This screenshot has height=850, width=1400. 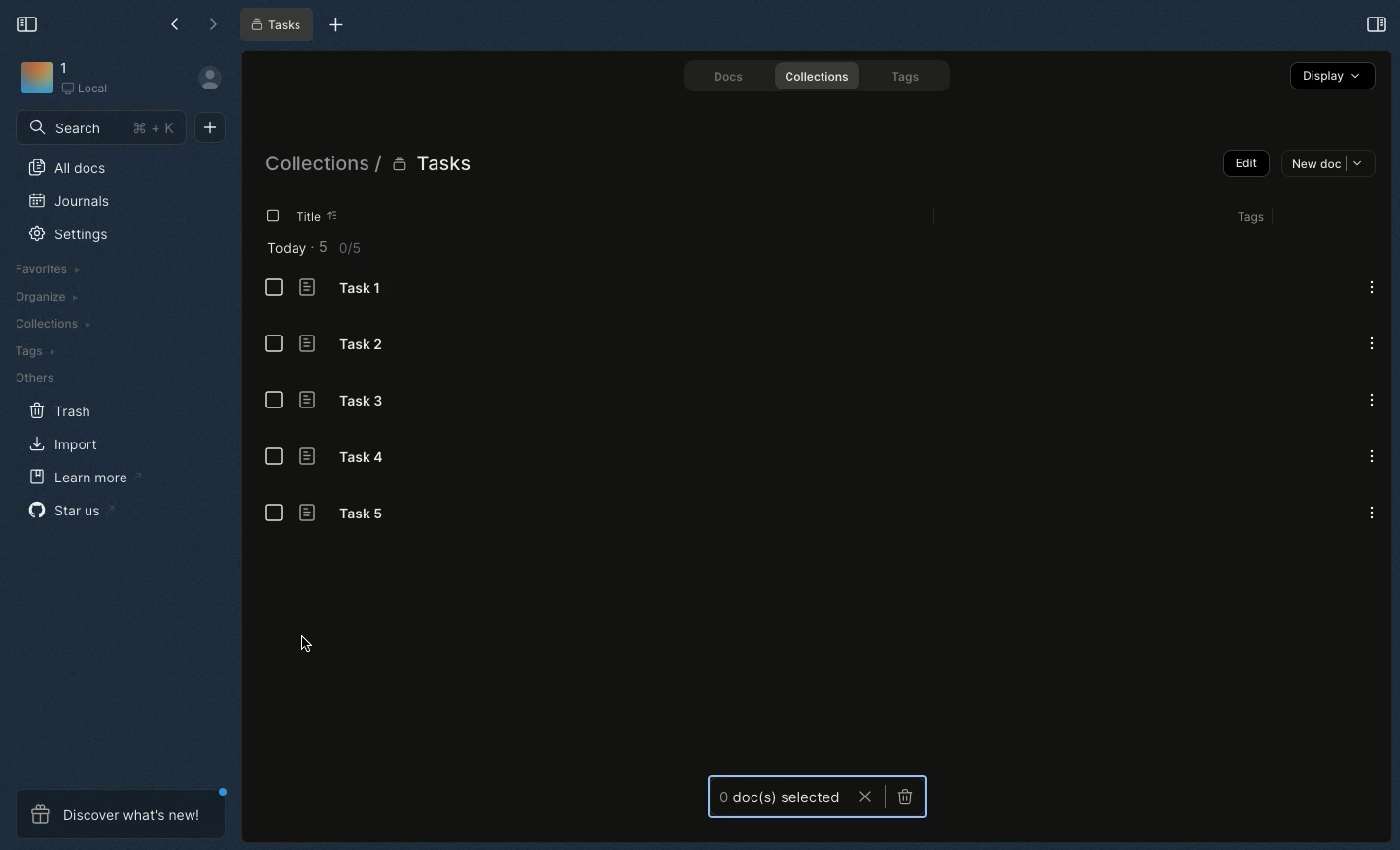 What do you see at coordinates (350, 401) in the screenshot?
I see `Task 3` at bounding box center [350, 401].